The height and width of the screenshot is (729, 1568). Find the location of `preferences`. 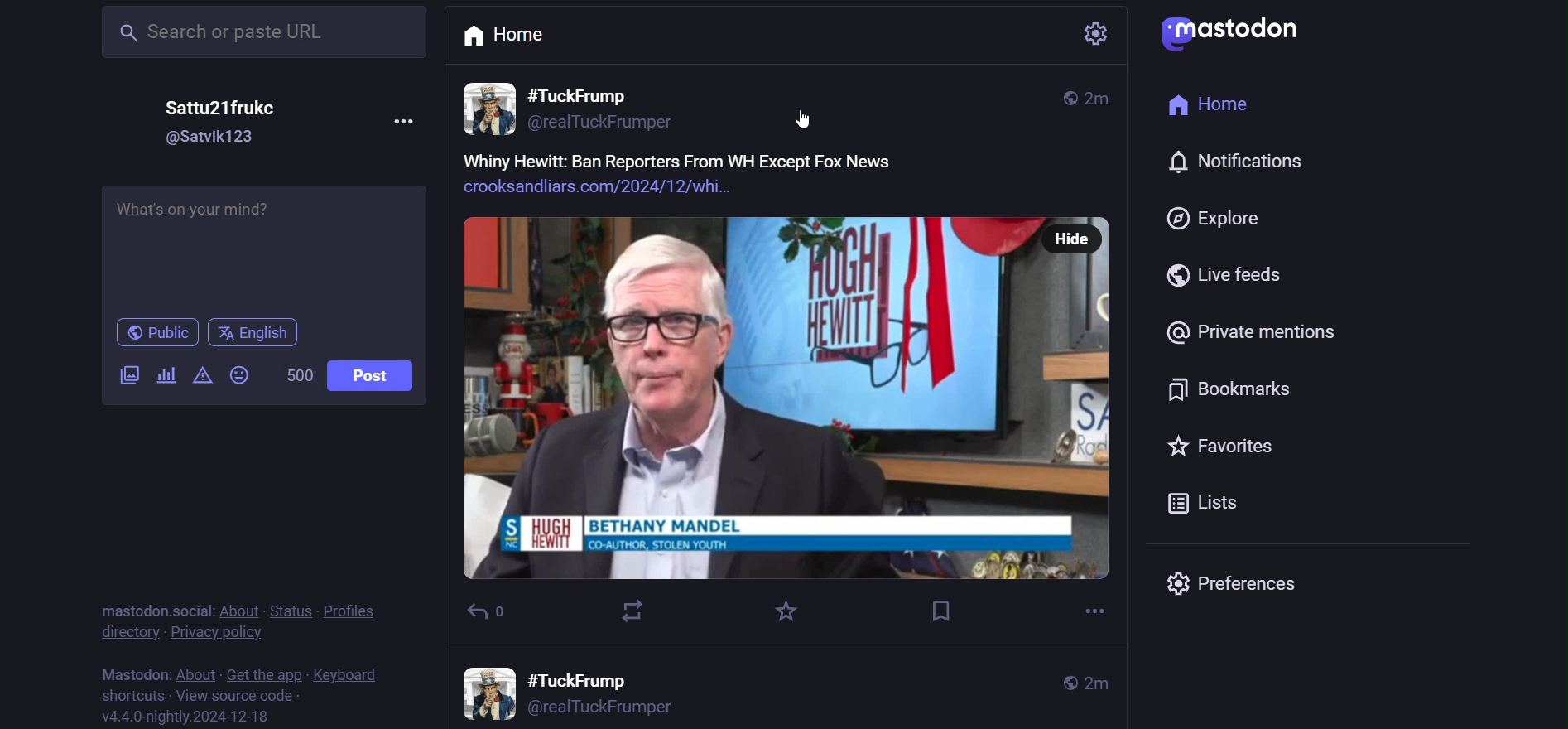

preferences is located at coordinates (1241, 583).